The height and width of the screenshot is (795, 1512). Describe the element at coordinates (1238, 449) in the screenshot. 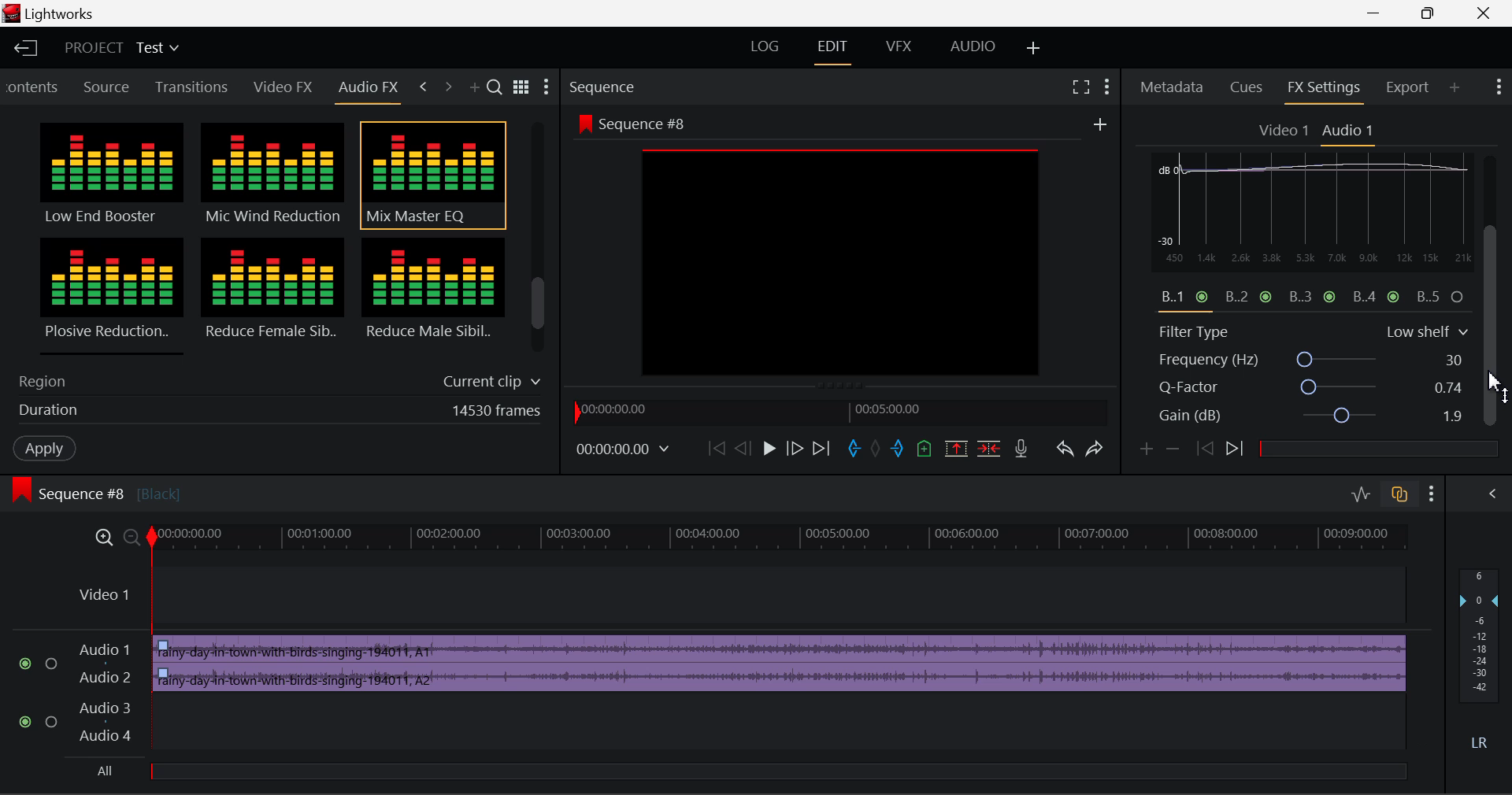

I see `Next keyframe` at that location.